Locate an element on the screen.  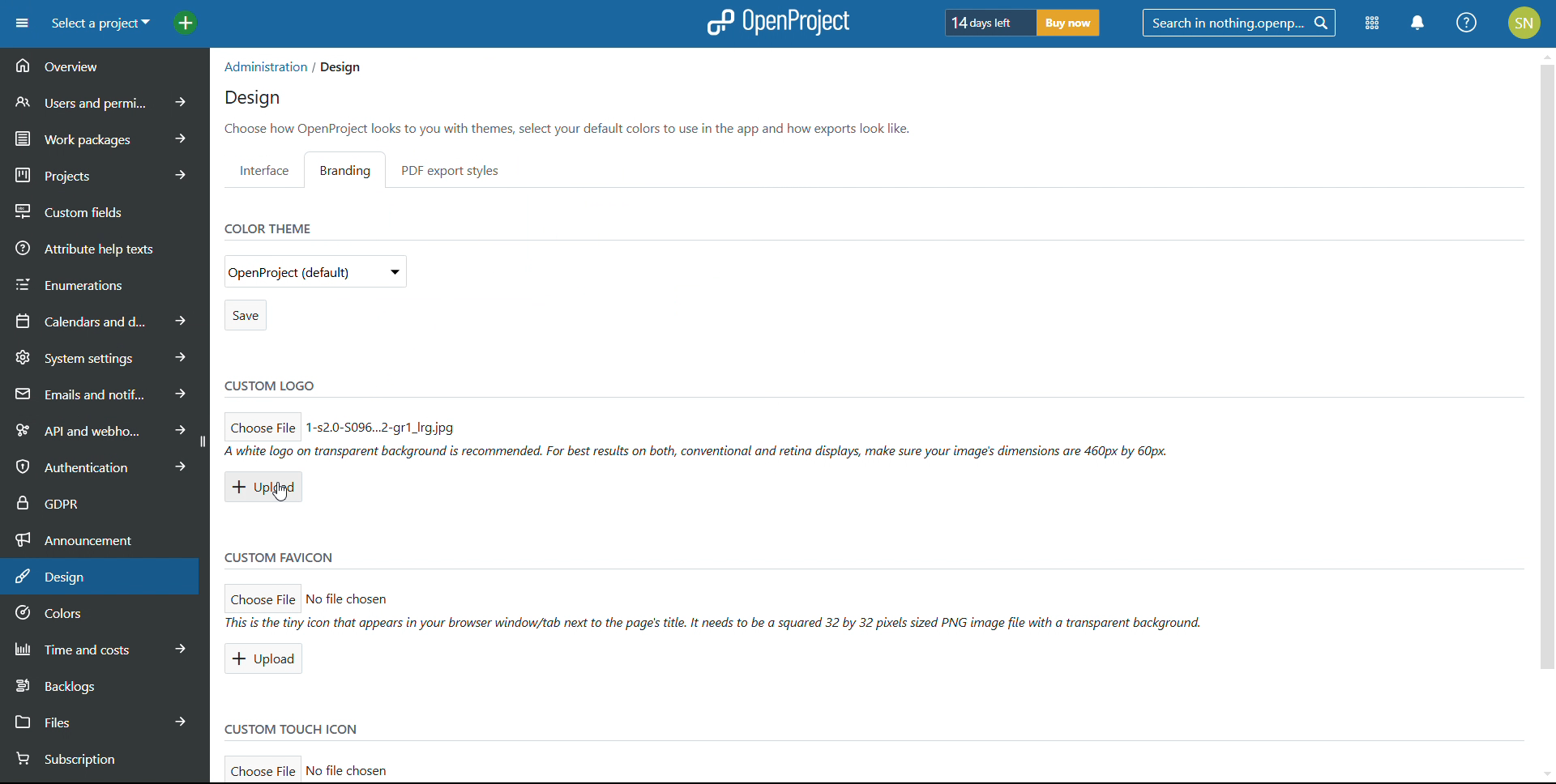
design selected is located at coordinates (100, 577).